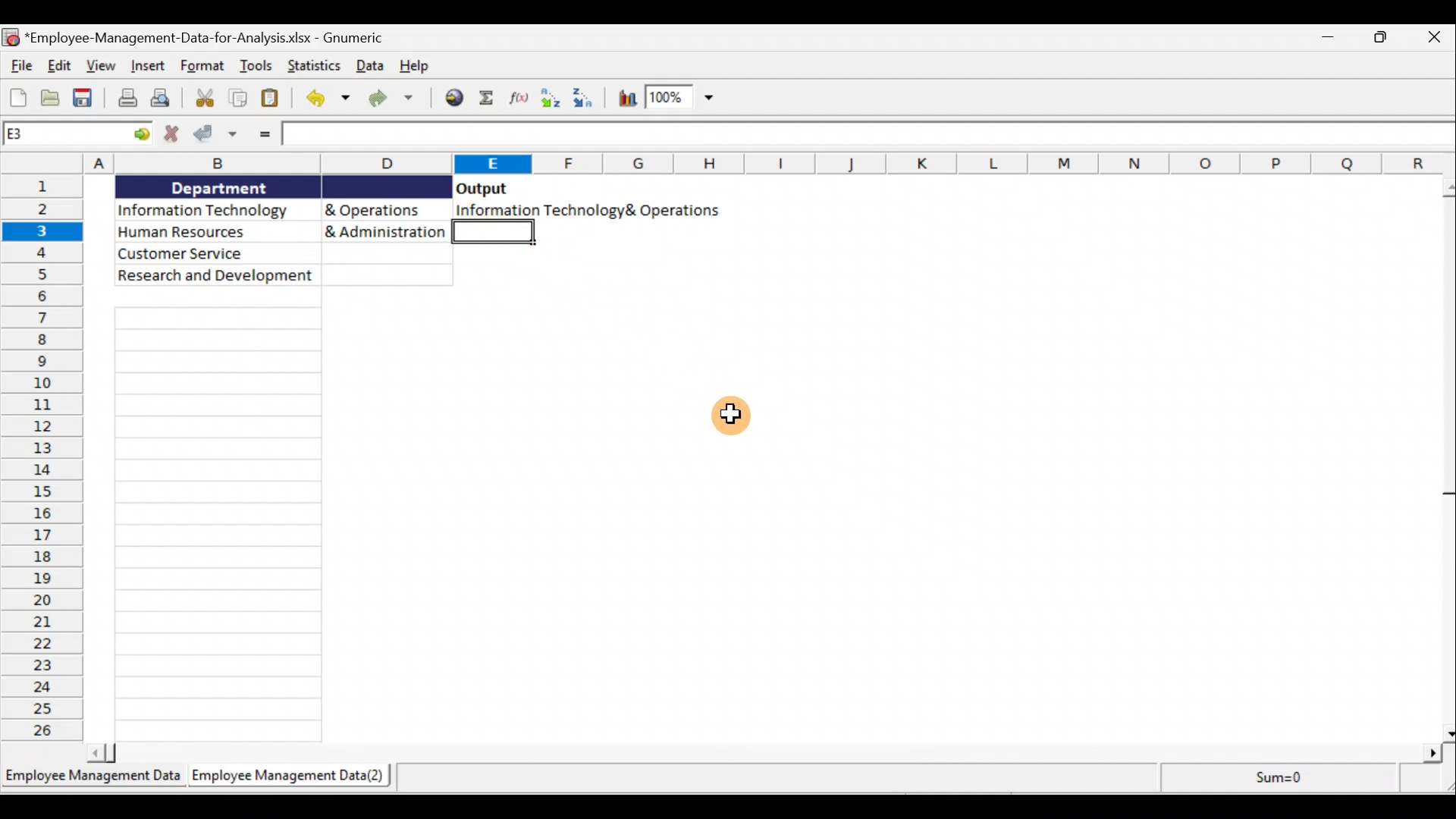 The width and height of the screenshot is (1456, 819). What do you see at coordinates (589, 96) in the screenshot?
I see `Sort Descending` at bounding box center [589, 96].